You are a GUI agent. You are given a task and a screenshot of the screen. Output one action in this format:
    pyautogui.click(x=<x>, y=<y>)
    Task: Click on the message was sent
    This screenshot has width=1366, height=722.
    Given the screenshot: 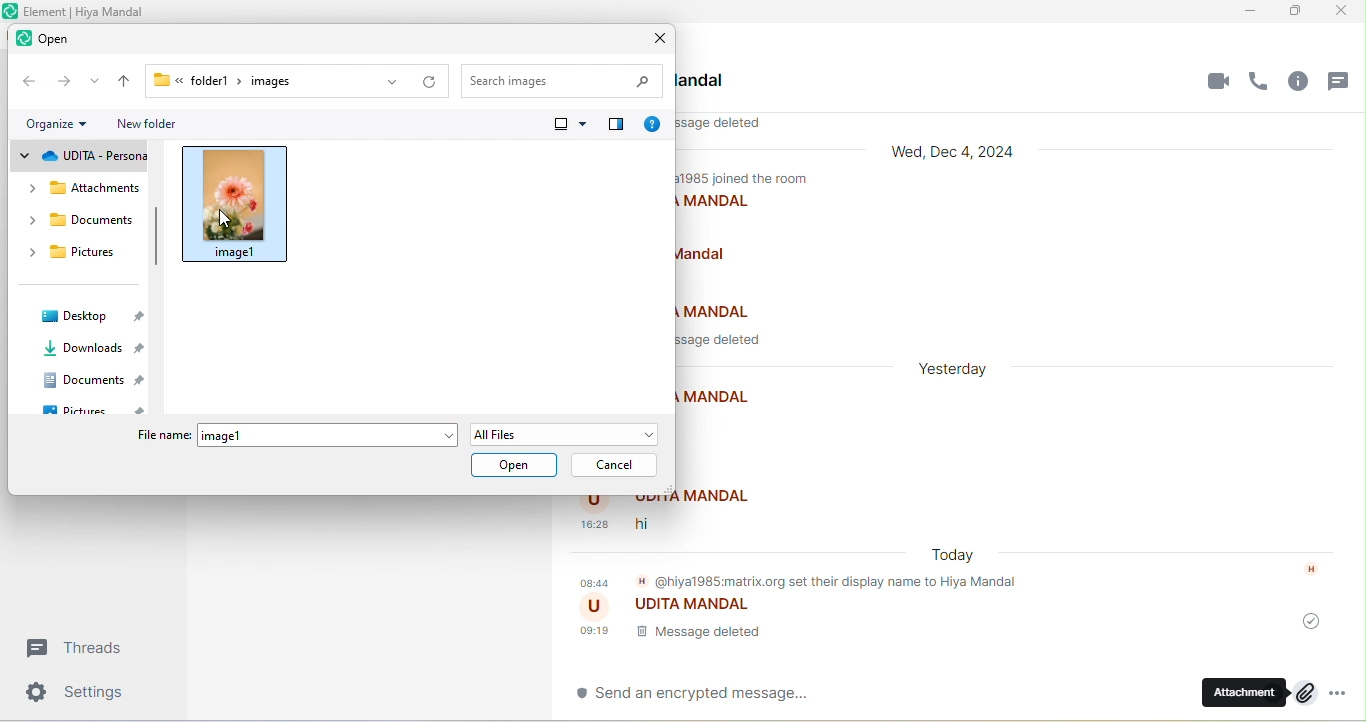 What is the action you would take?
    pyautogui.click(x=1314, y=622)
    